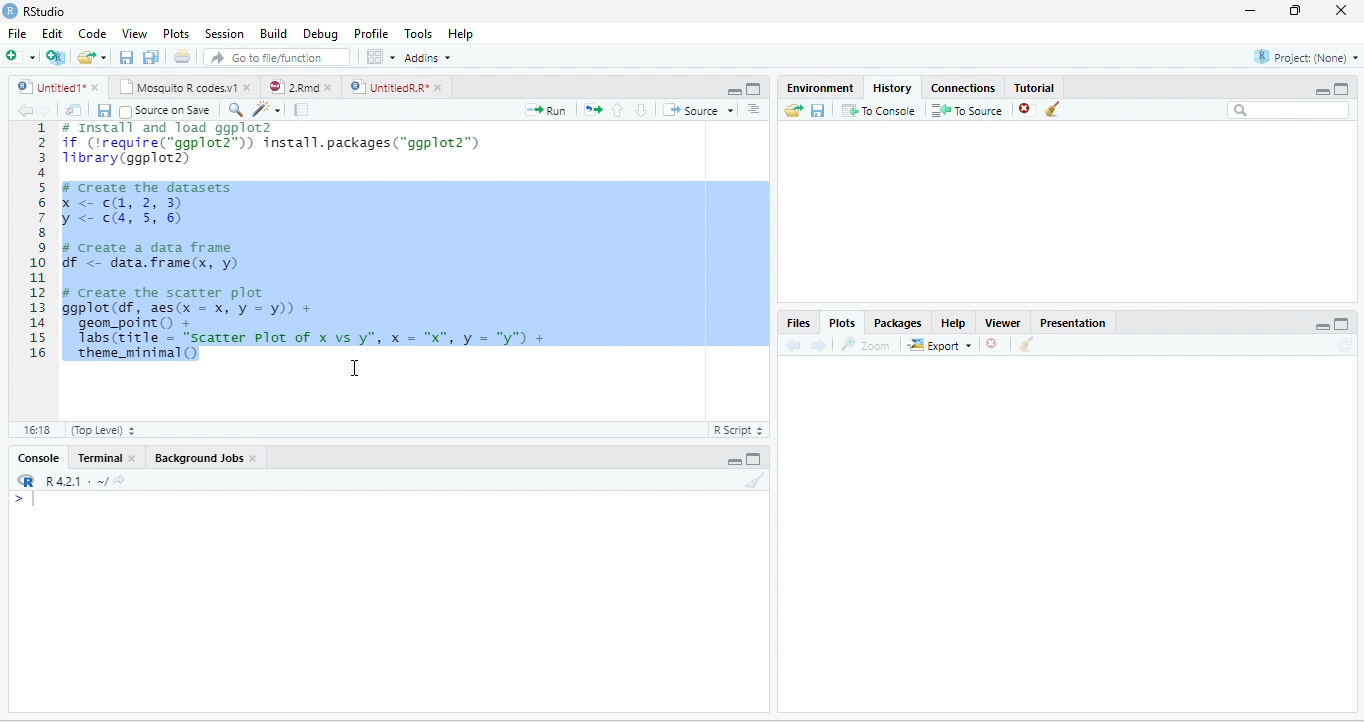 The width and height of the screenshot is (1364, 722). I want to click on close, so click(1340, 11).